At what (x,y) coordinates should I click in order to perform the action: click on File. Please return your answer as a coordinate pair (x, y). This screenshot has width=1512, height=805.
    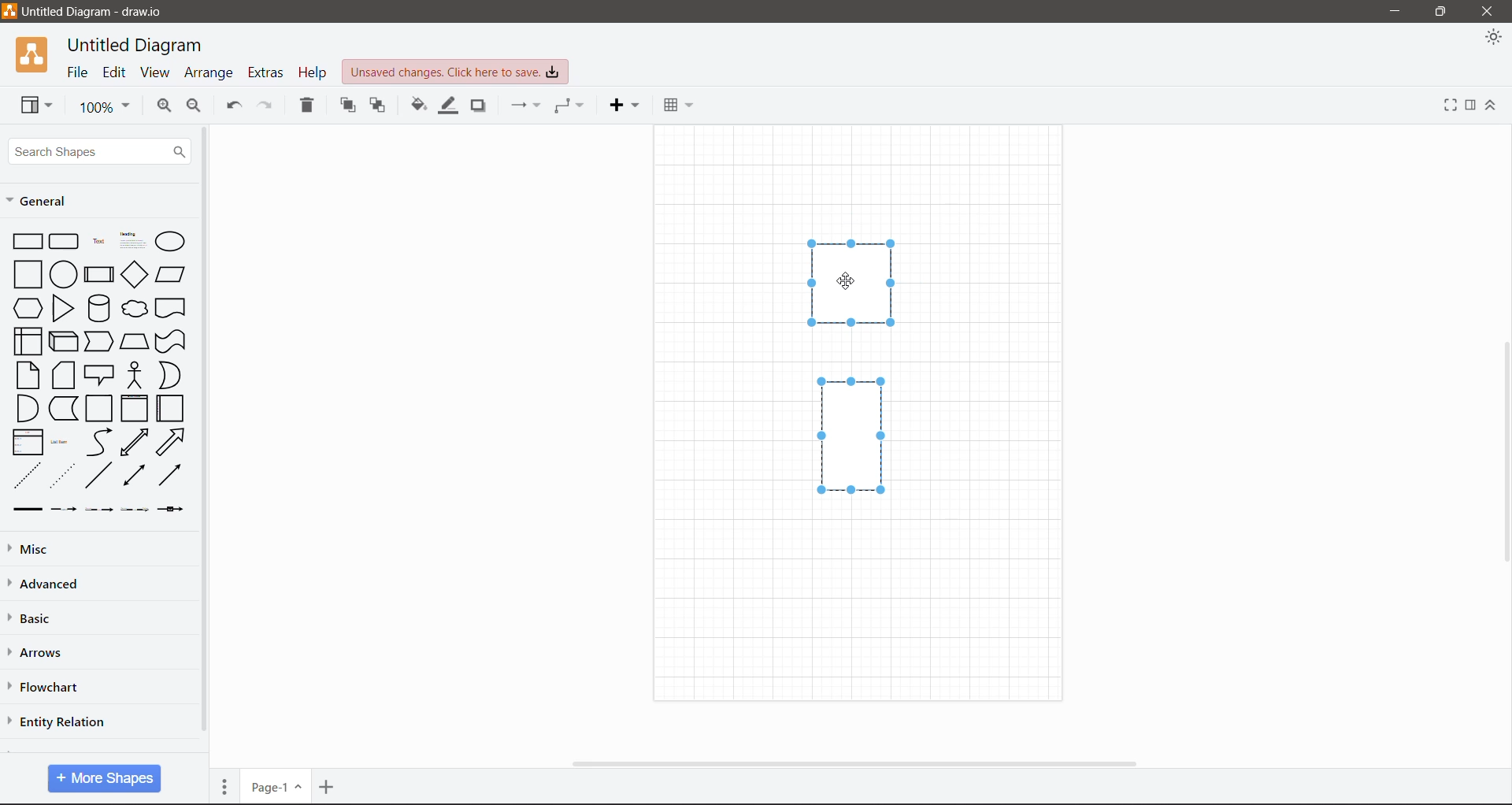
    Looking at the image, I should click on (78, 72).